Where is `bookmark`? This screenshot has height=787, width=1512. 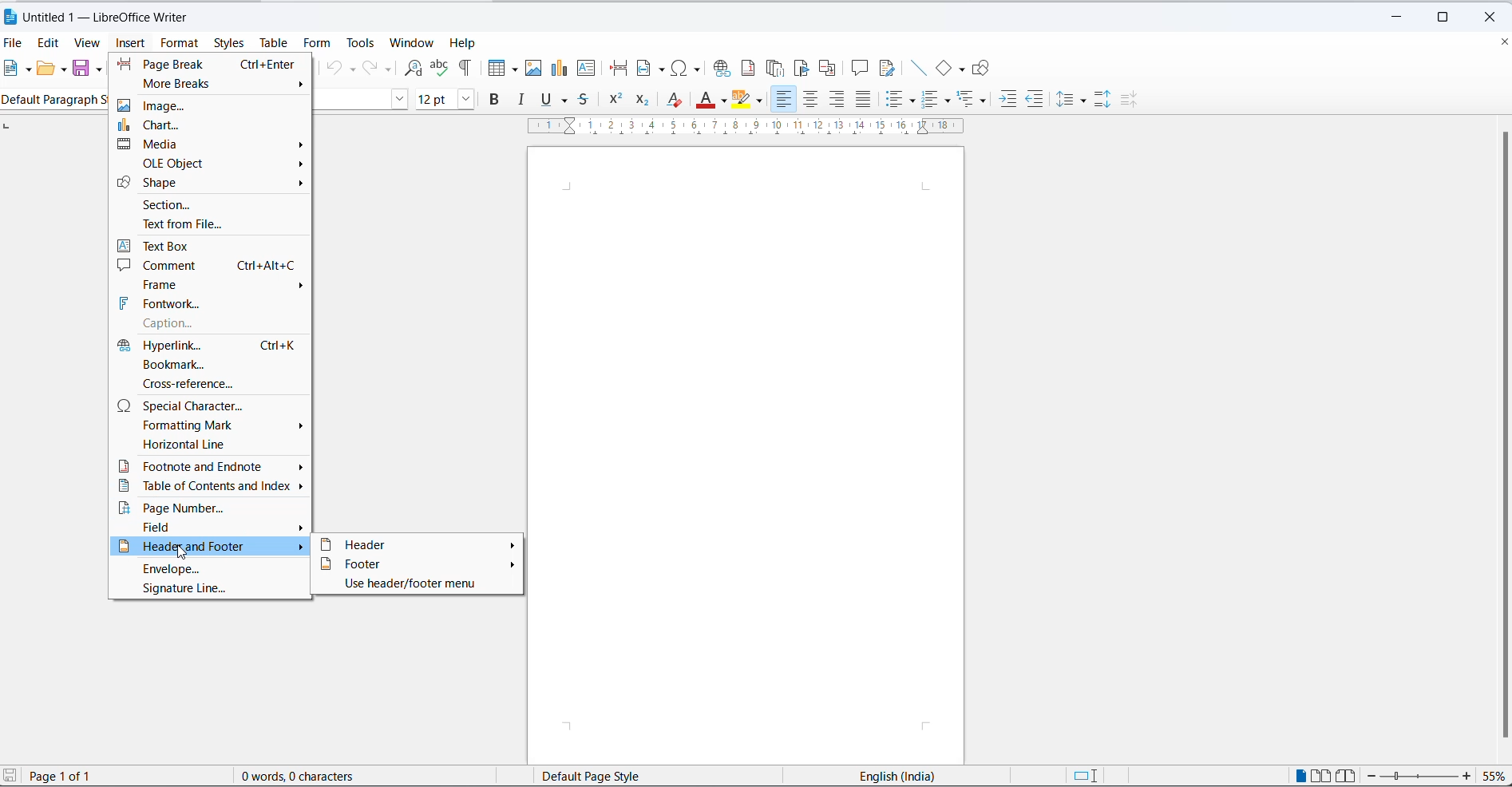 bookmark is located at coordinates (212, 364).